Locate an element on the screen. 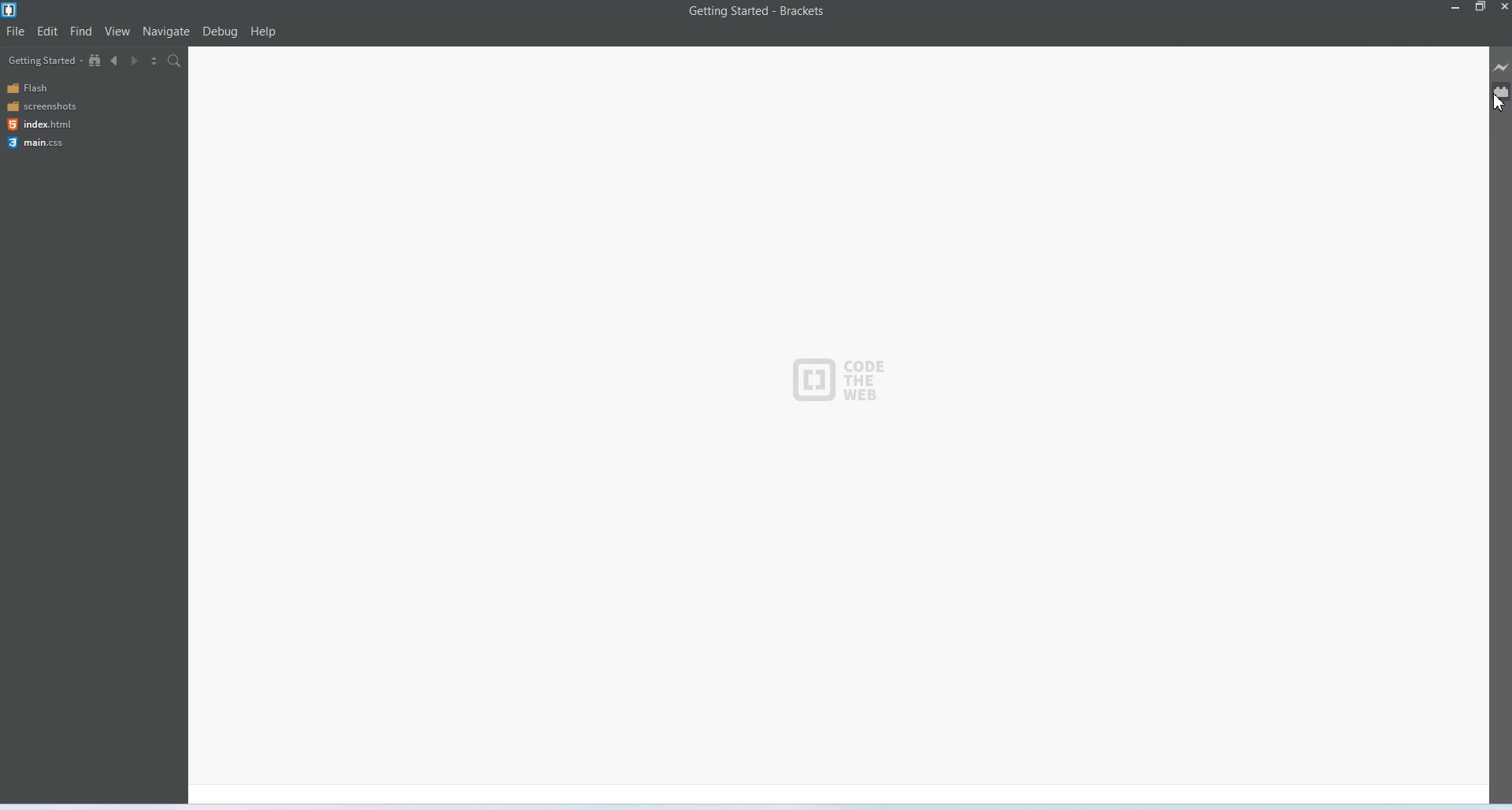 The height and width of the screenshot is (810, 1512). Maximise is located at coordinates (1480, 7).